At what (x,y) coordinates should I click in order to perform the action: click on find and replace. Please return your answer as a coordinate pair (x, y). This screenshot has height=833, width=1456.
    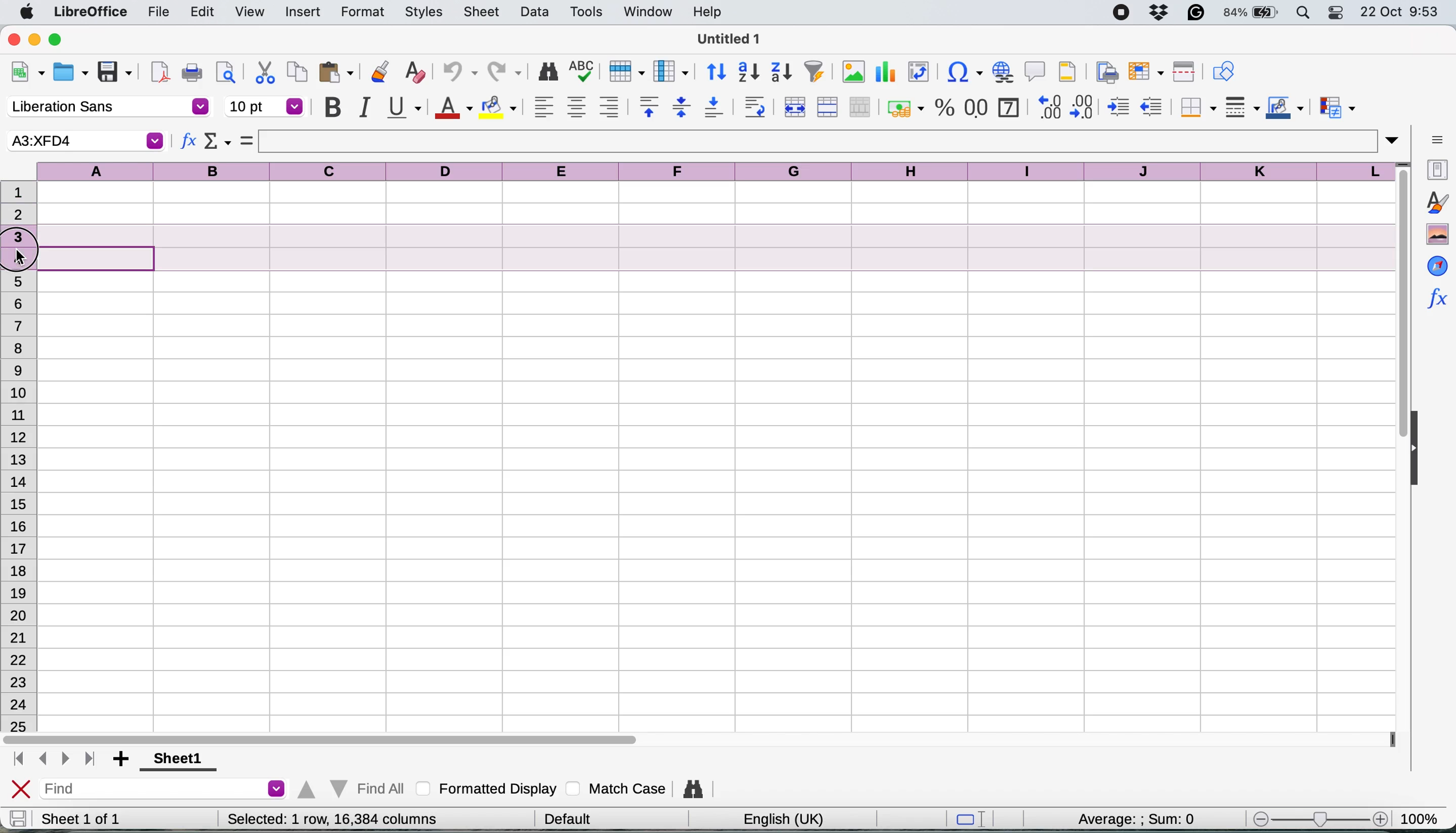
    Looking at the image, I should click on (549, 72).